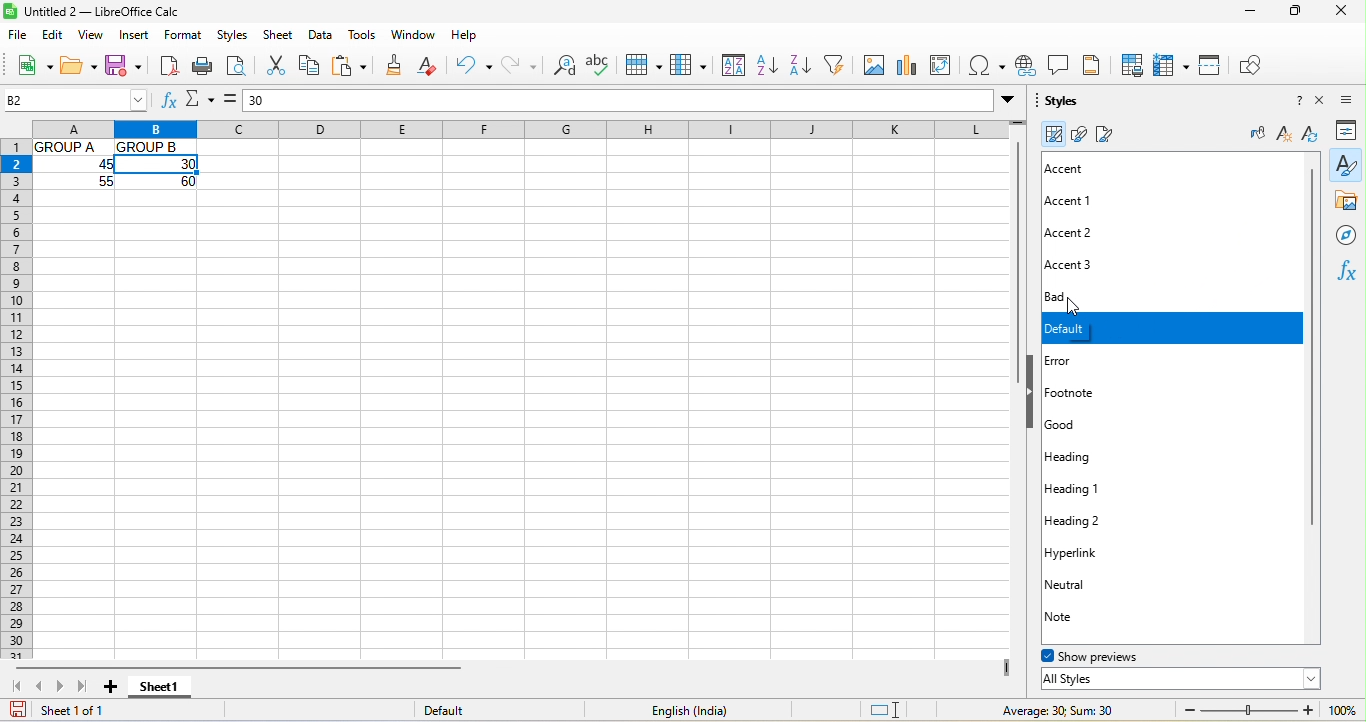 The image size is (1366, 722). Describe the element at coordinates (1281, 135) in the screenshot. I see `new style` at that location.